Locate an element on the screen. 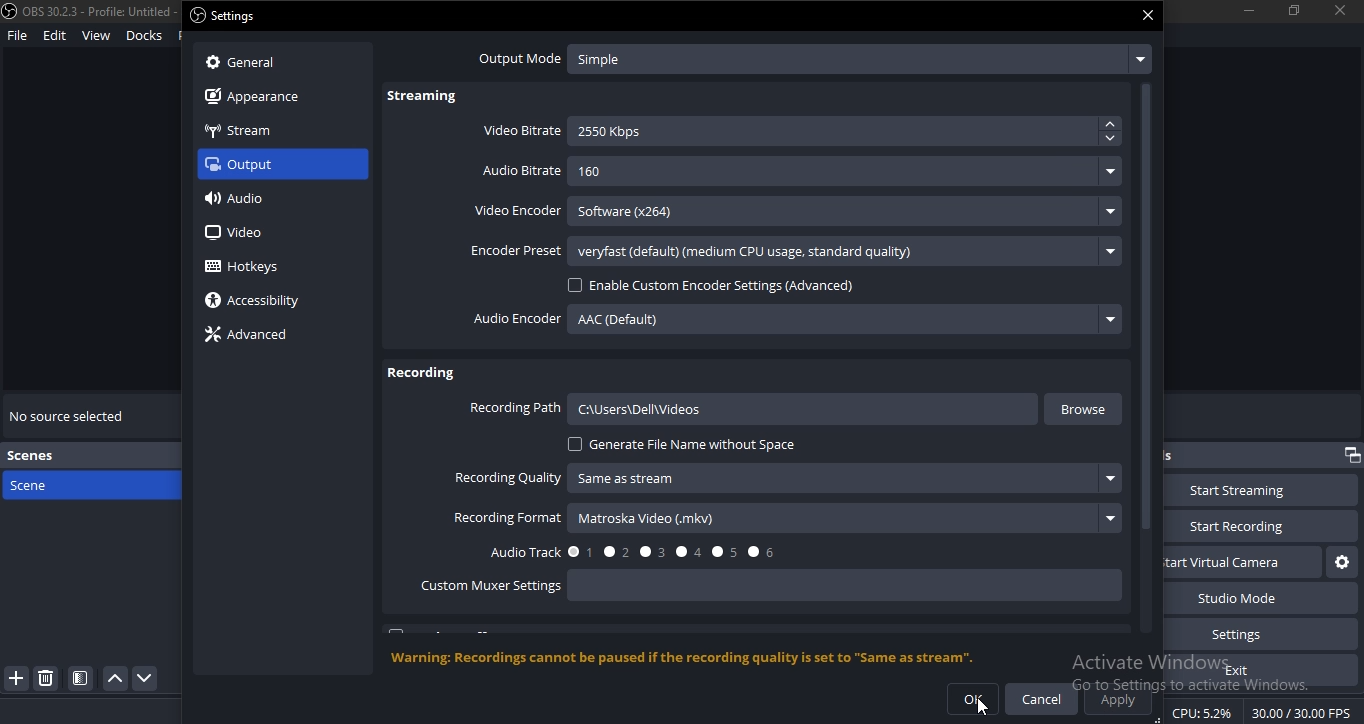  Software (x264) is located at coordinates (847, 212).